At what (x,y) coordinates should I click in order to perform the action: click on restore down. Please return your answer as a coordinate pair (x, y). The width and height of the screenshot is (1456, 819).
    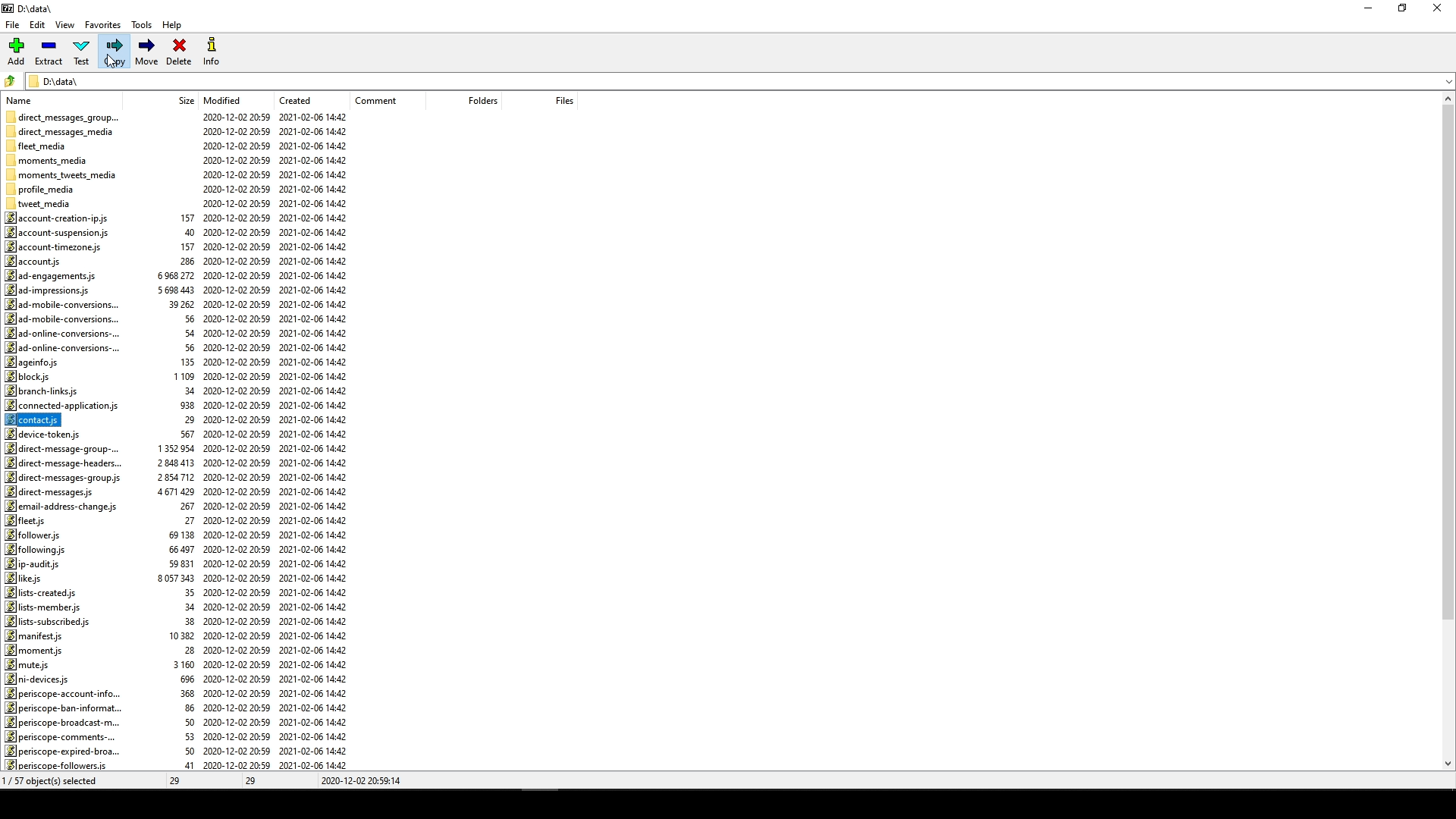
    Looking at the image, I should click on (1407, 9).